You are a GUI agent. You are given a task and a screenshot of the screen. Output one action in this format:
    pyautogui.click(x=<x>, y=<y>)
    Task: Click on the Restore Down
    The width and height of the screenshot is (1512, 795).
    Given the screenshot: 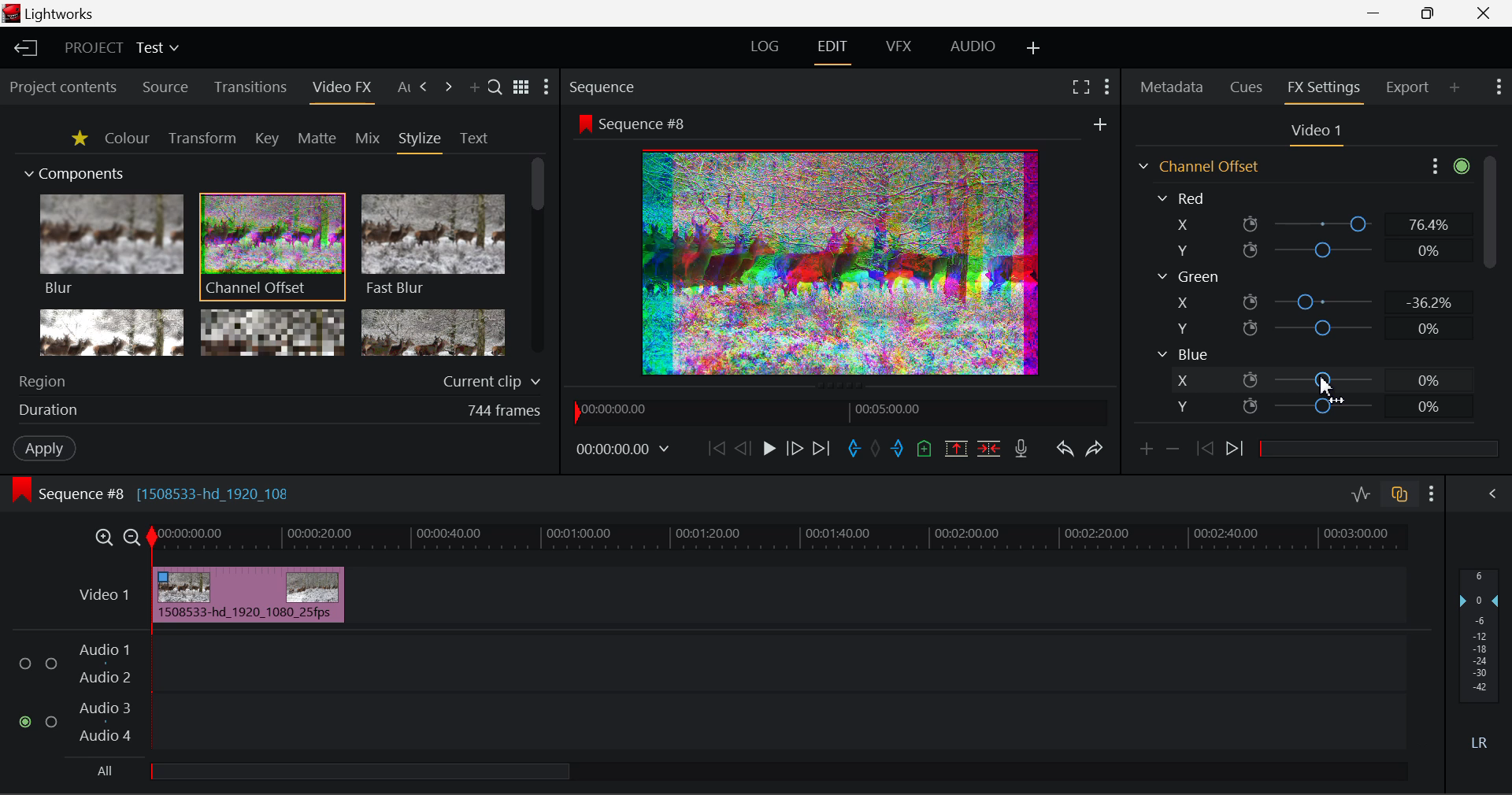 What is the action you would take?
    pyautogui.click(x=1379, y=14)
    